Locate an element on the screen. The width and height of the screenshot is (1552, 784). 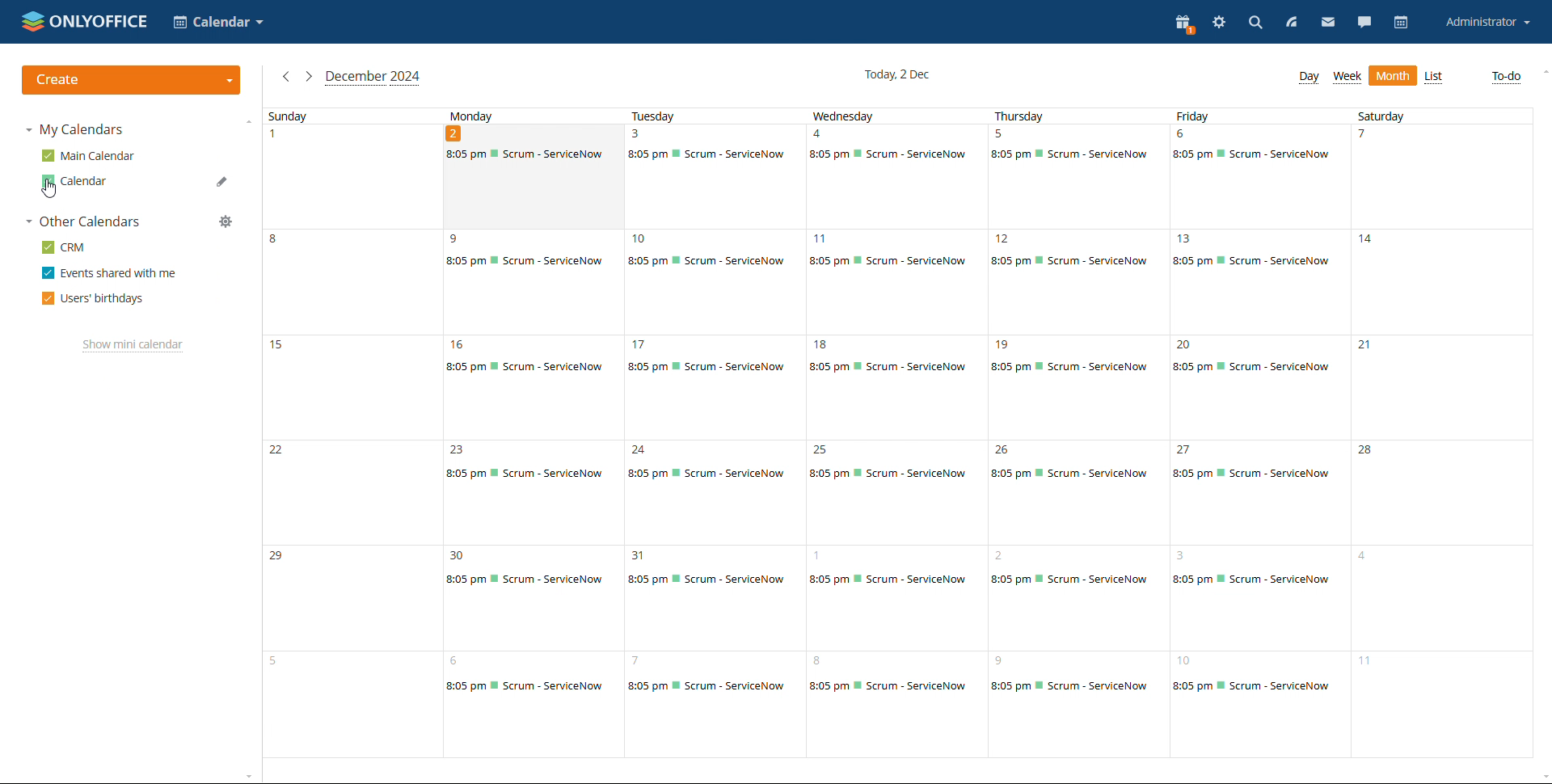
cursor is located at coordinates (53, 192).